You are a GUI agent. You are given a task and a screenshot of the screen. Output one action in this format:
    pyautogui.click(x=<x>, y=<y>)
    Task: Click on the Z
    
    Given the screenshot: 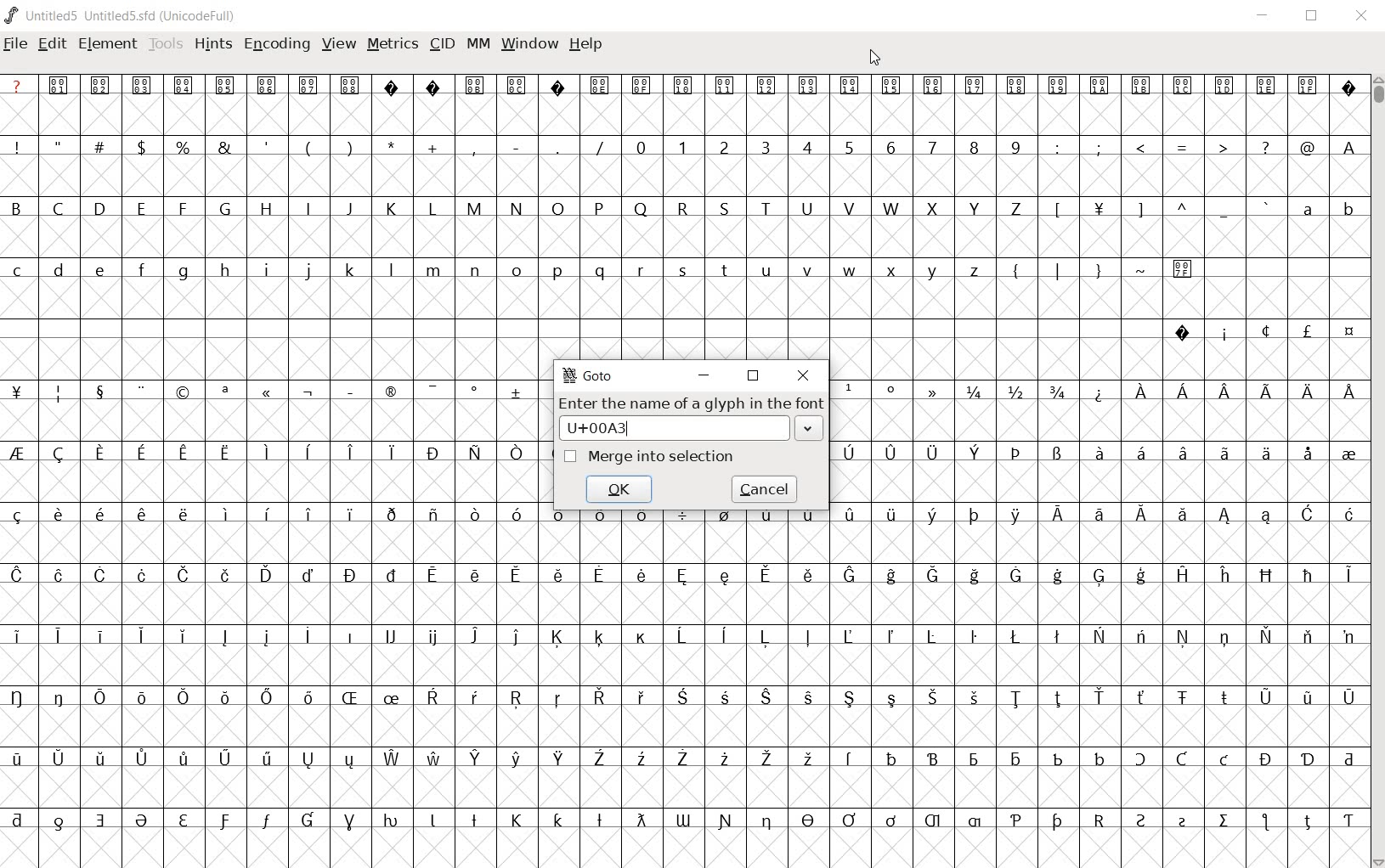 What is the action you would take?
    pyautogui.click(x=1016, y=210)
    